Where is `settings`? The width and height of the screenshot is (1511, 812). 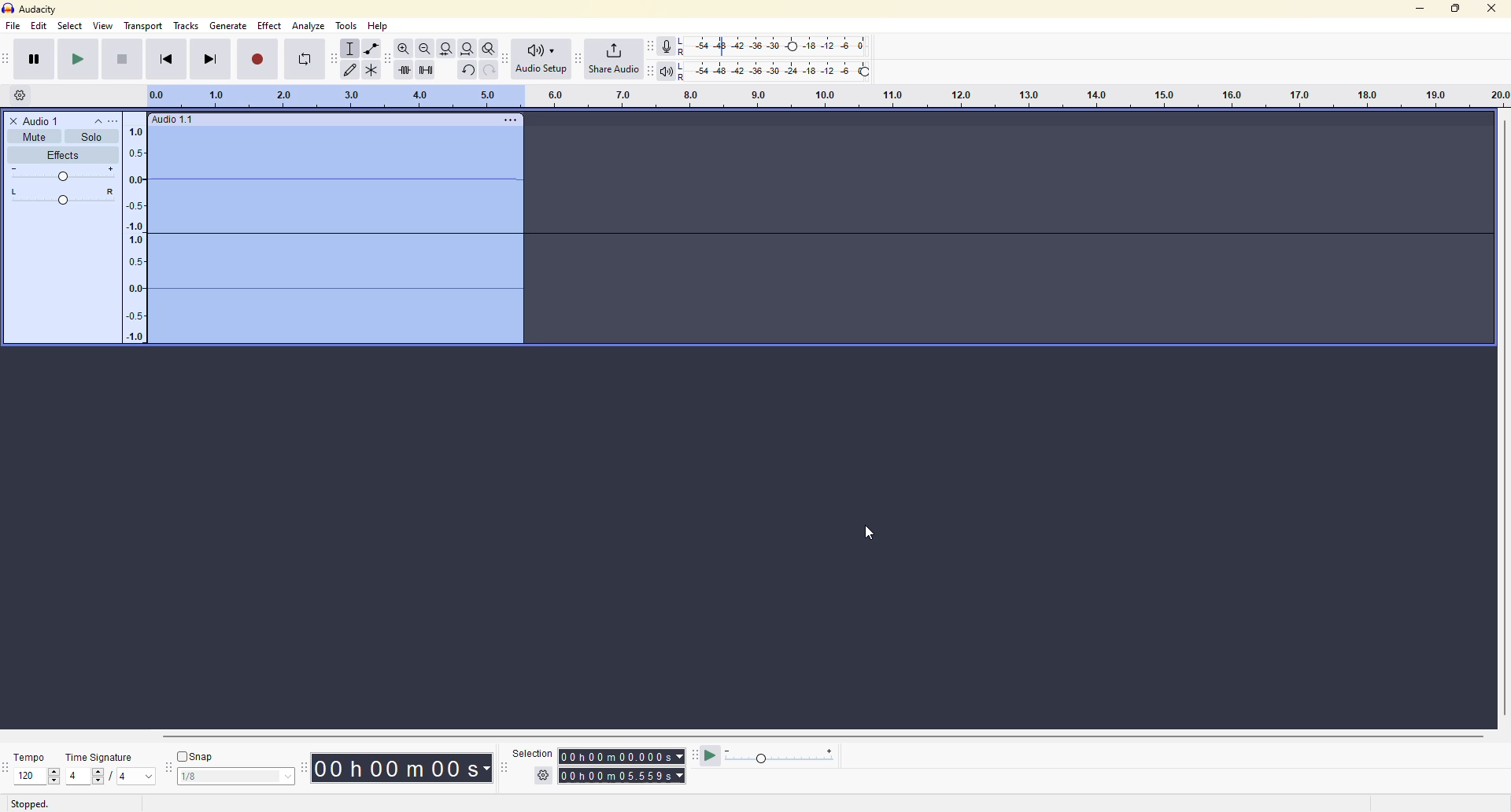
settings is located at coordinates (545, 775).